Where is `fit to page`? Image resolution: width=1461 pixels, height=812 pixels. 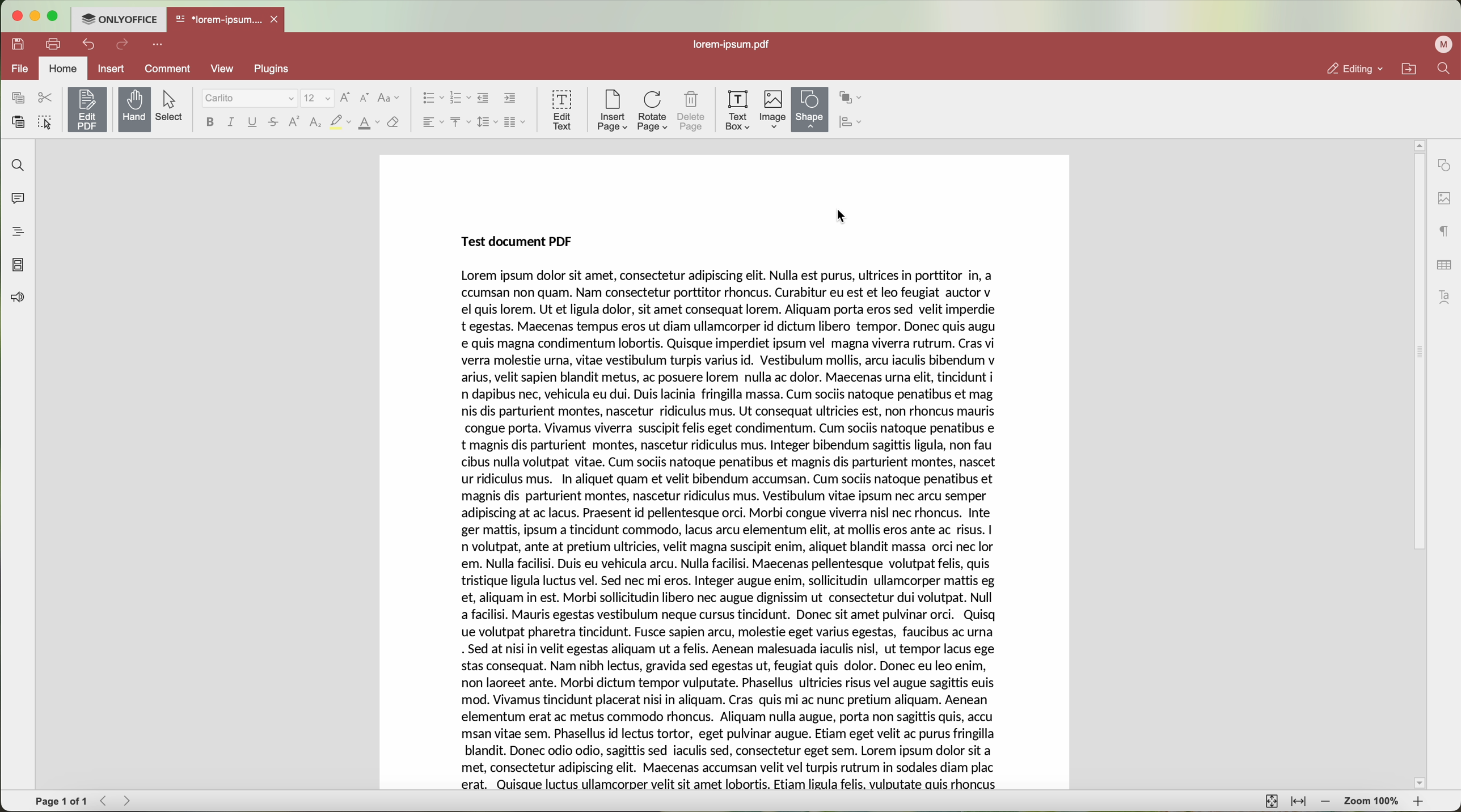
fit to page is located at coordinates (1270, 801).